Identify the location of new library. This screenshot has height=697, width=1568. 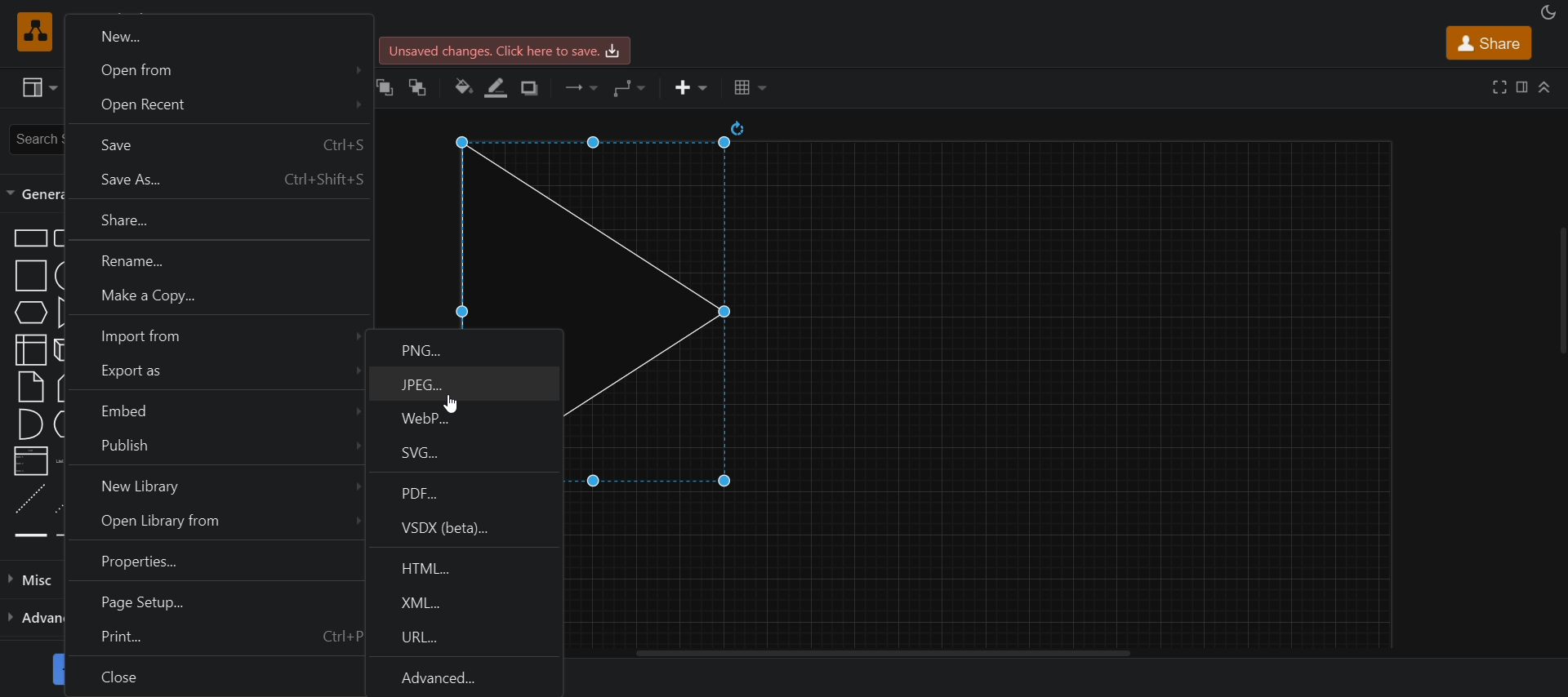
(212, 487).